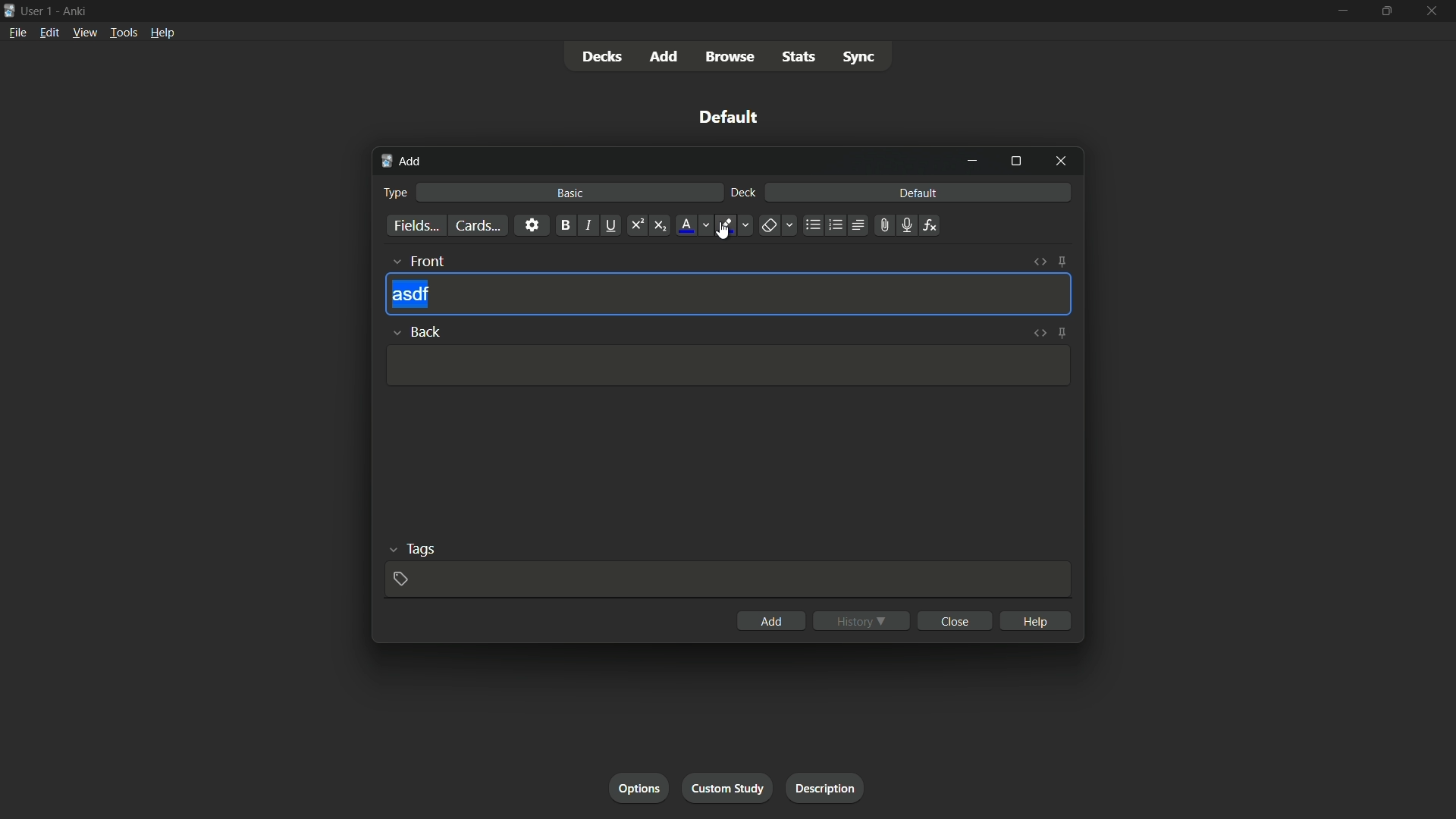 The height and width of the screenshot is (819, 1456). What do you see at coordinates (639, 787) in the screenshot?
I see `options` at bounding box center [639, 787].